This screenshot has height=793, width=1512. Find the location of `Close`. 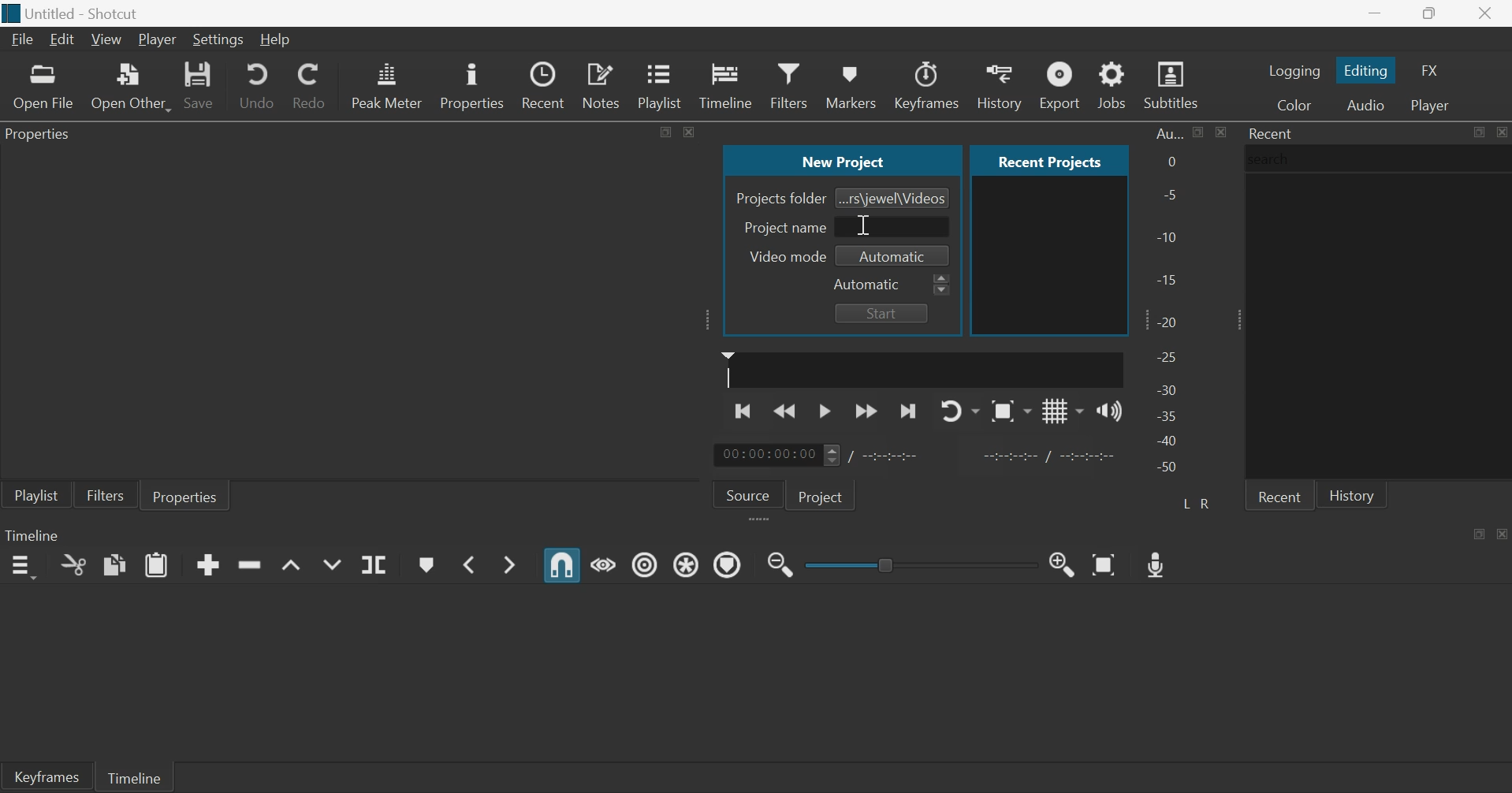

Close is located at coordinates (1487, 14).